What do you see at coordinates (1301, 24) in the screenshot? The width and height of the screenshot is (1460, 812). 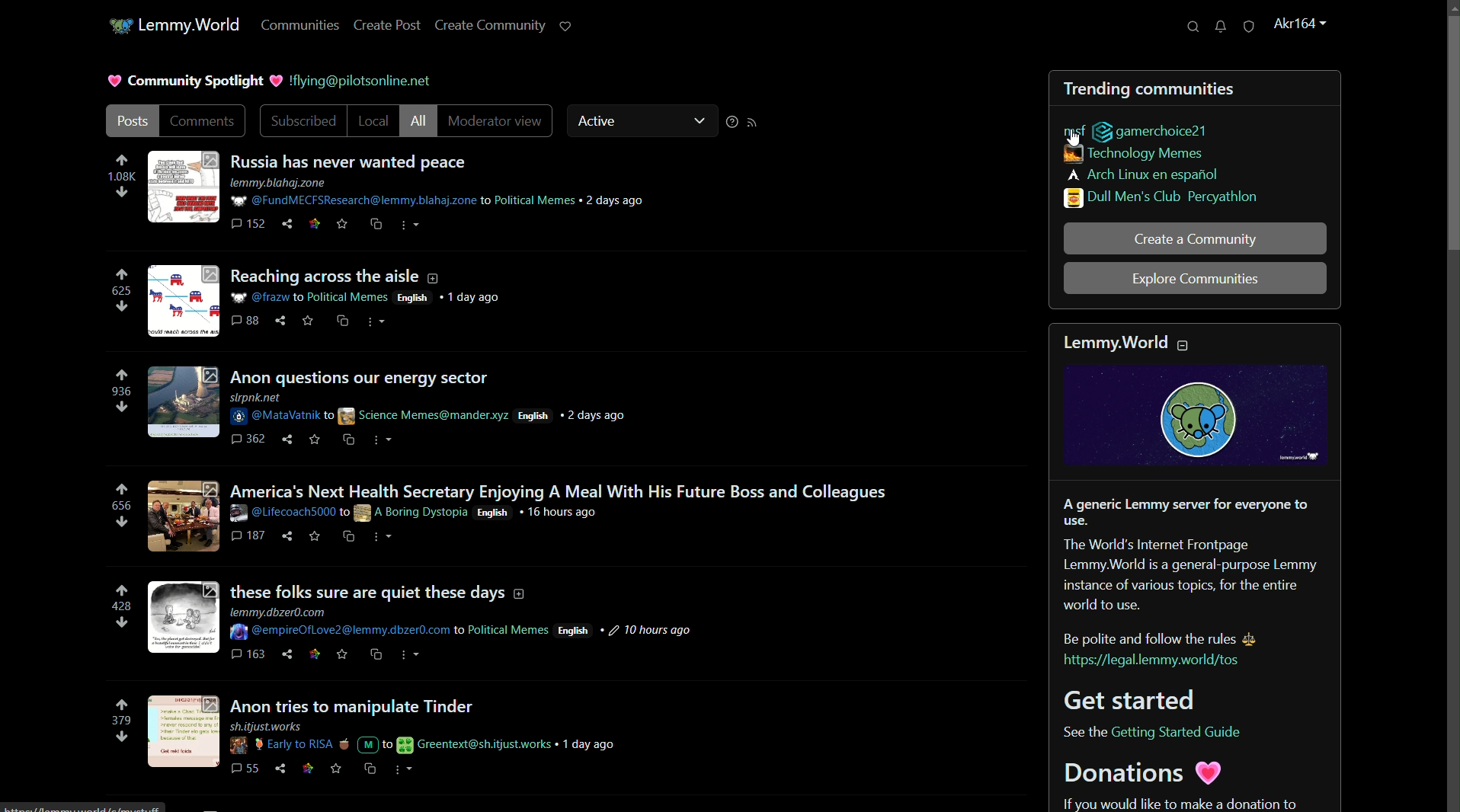 I see `profile` at bounding box center [1301, 24].